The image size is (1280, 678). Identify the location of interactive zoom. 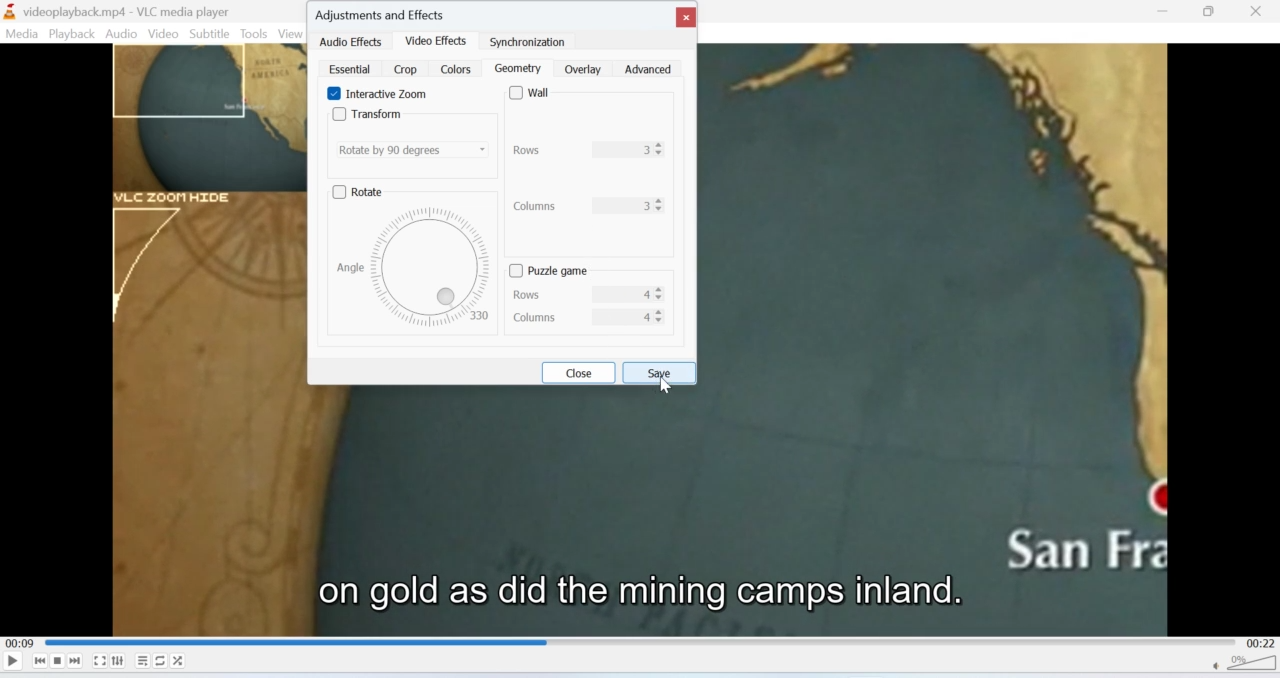
(404, 92).